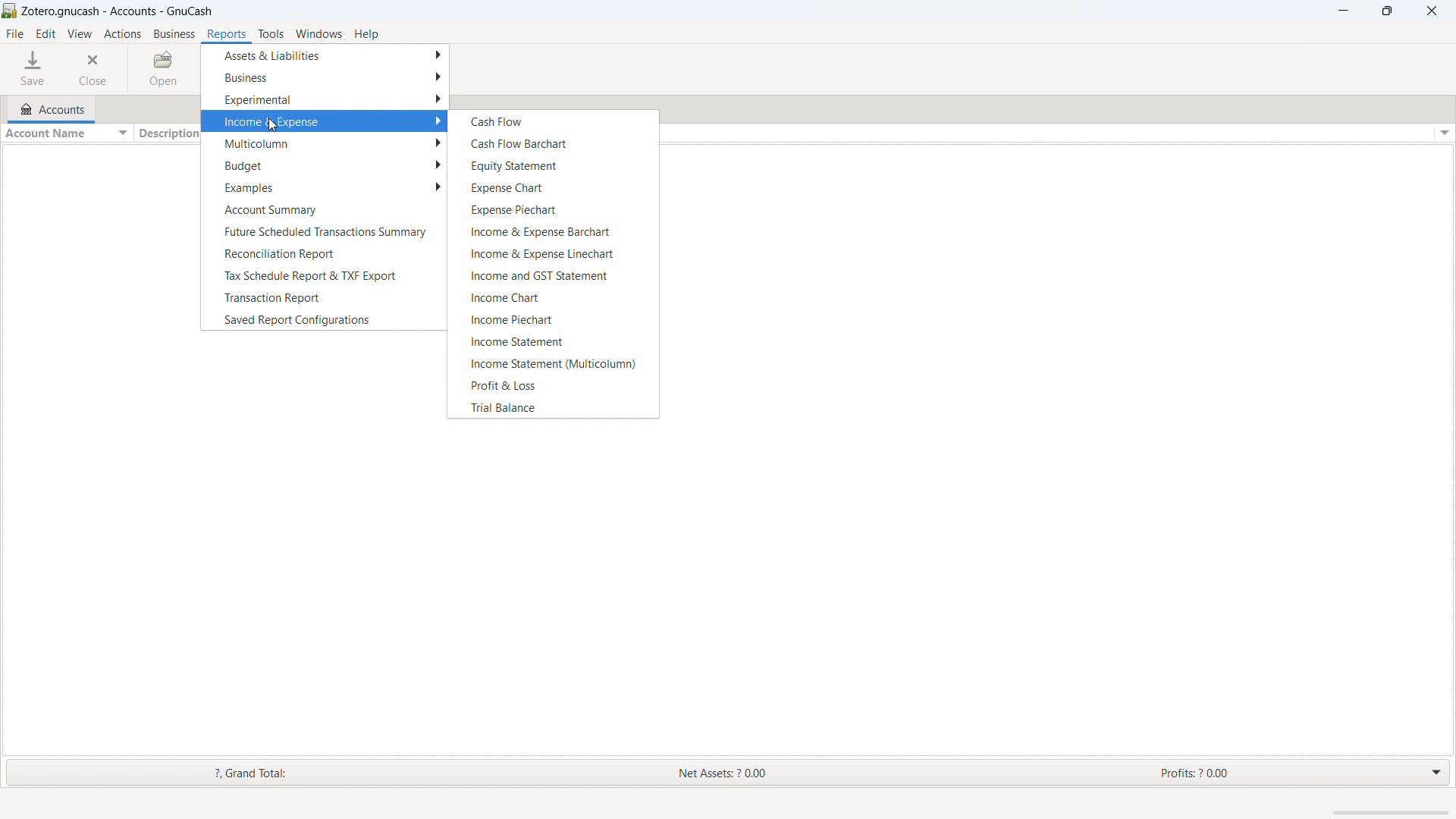 This screenshot has width=1456, height=819. Describe the element at coordinates (322, 253) in the screenshot. I see `reconciliation repport` at that location.